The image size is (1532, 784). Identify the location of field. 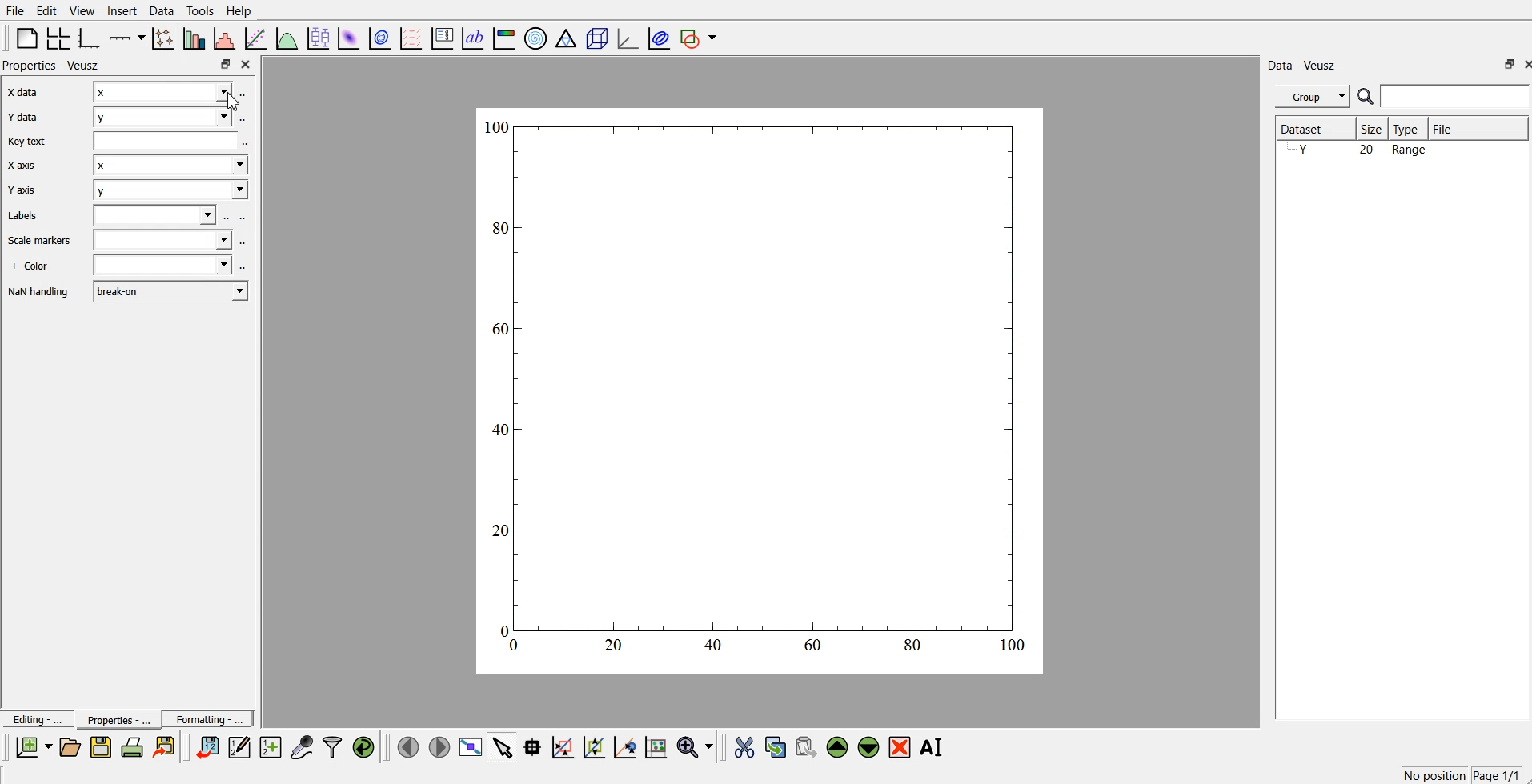
(164, 266).